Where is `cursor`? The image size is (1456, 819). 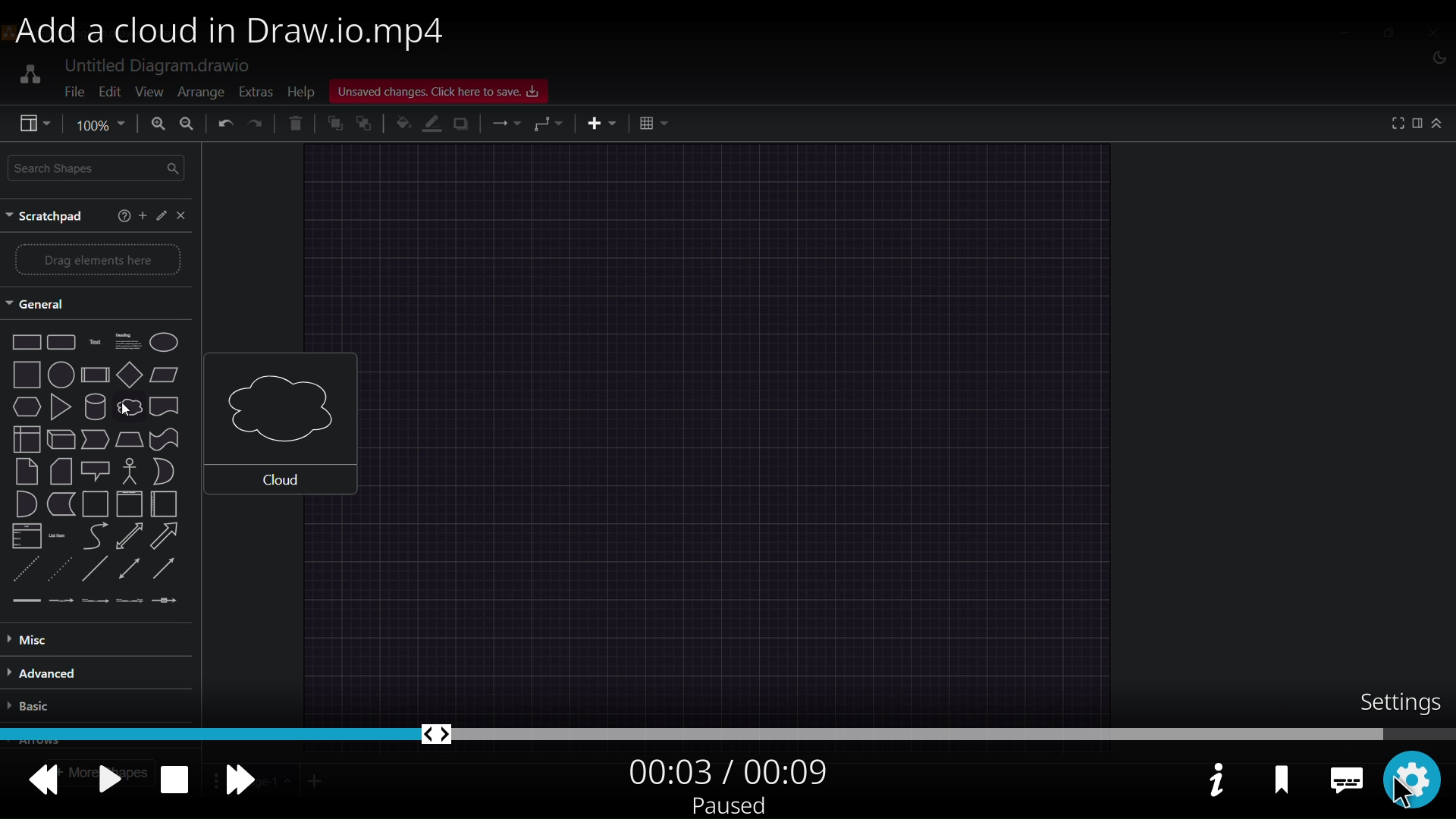
cursor is located at coordinates (1397, 792).